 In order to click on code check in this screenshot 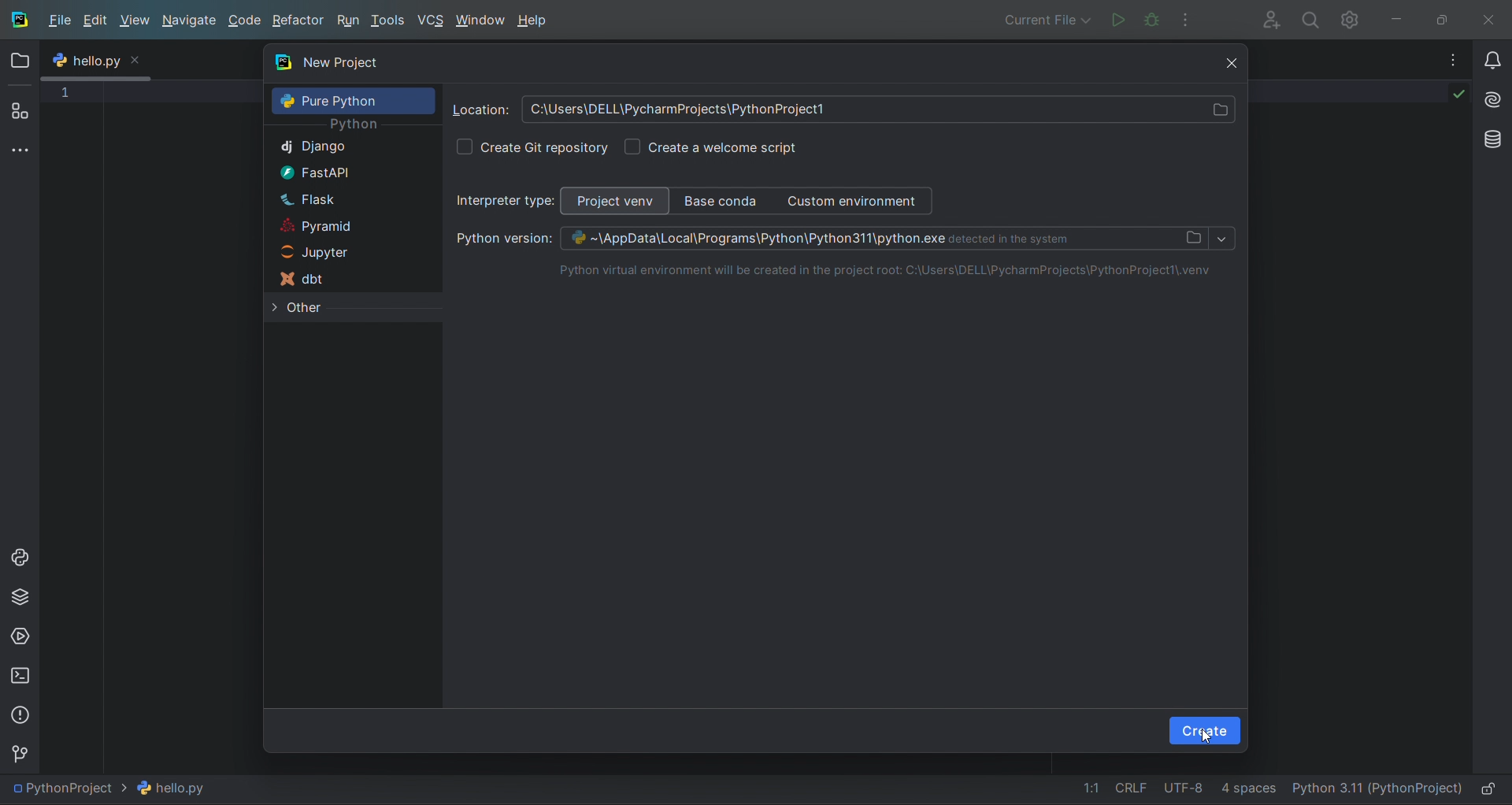, I will do `click(1447, 98)`.